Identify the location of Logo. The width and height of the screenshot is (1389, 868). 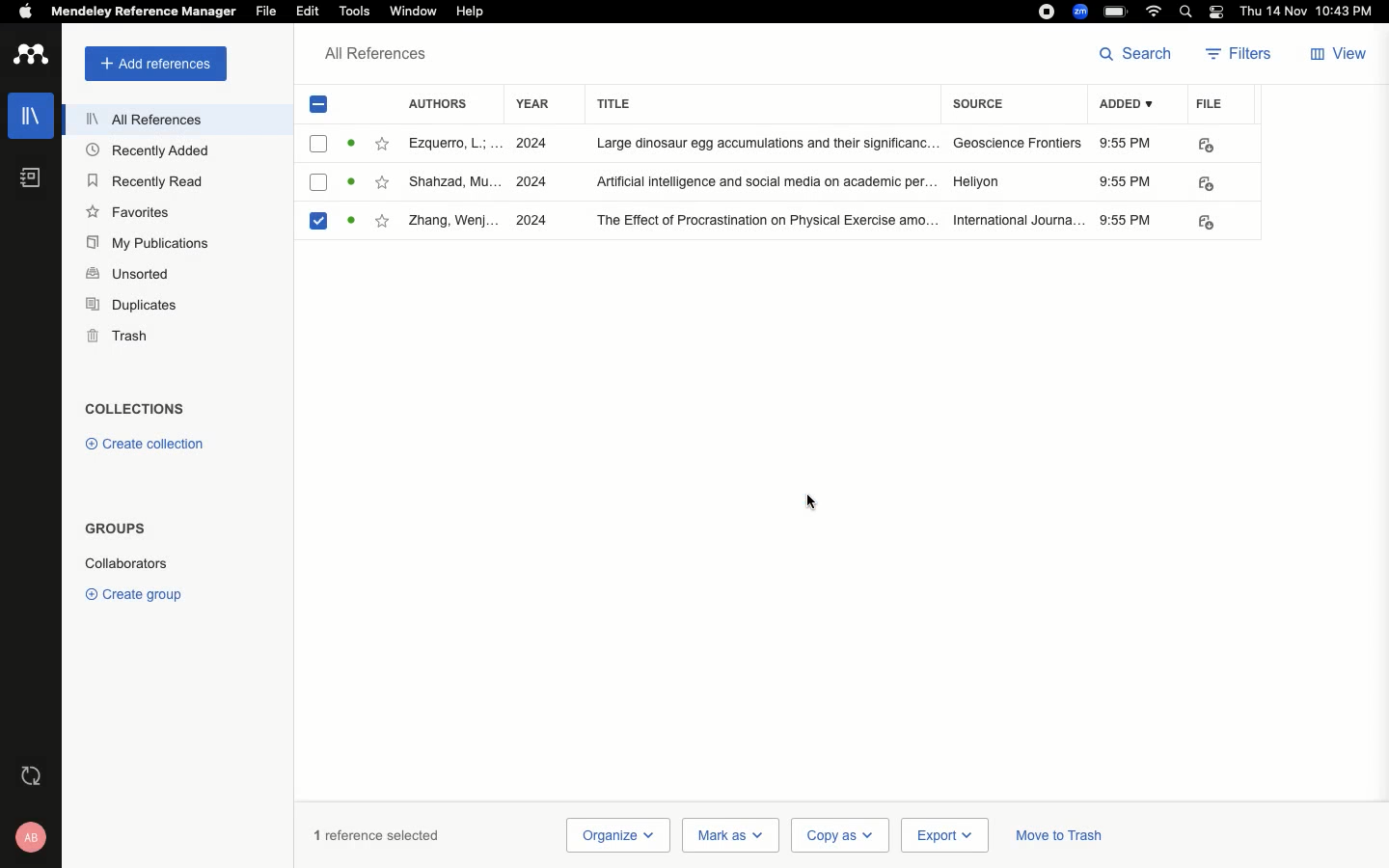
(31, 56).